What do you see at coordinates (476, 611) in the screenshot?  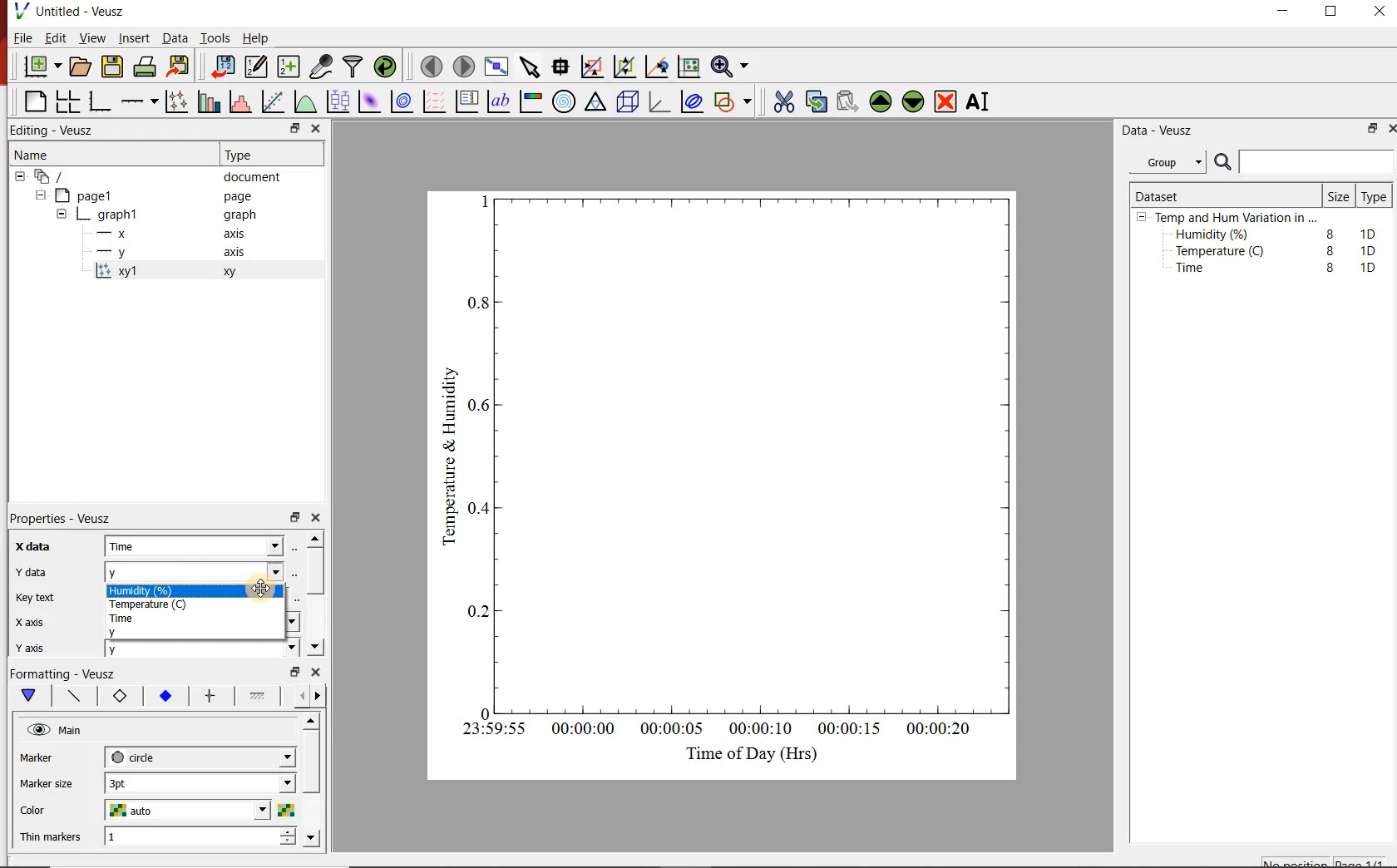 I see `0.2` at bounding box center [476, 611].